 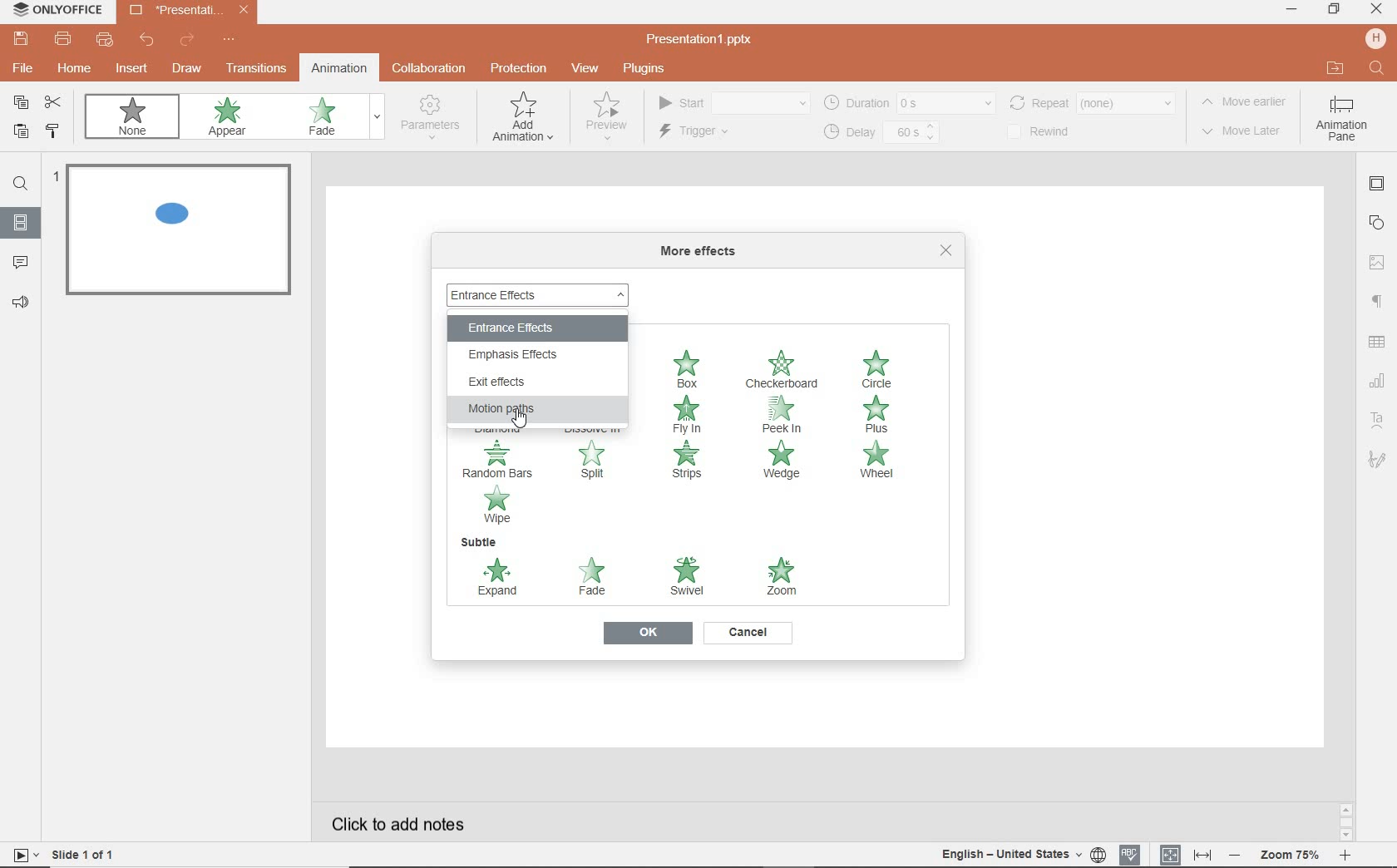 I want to click on profile, so click(x=1374, y=38).